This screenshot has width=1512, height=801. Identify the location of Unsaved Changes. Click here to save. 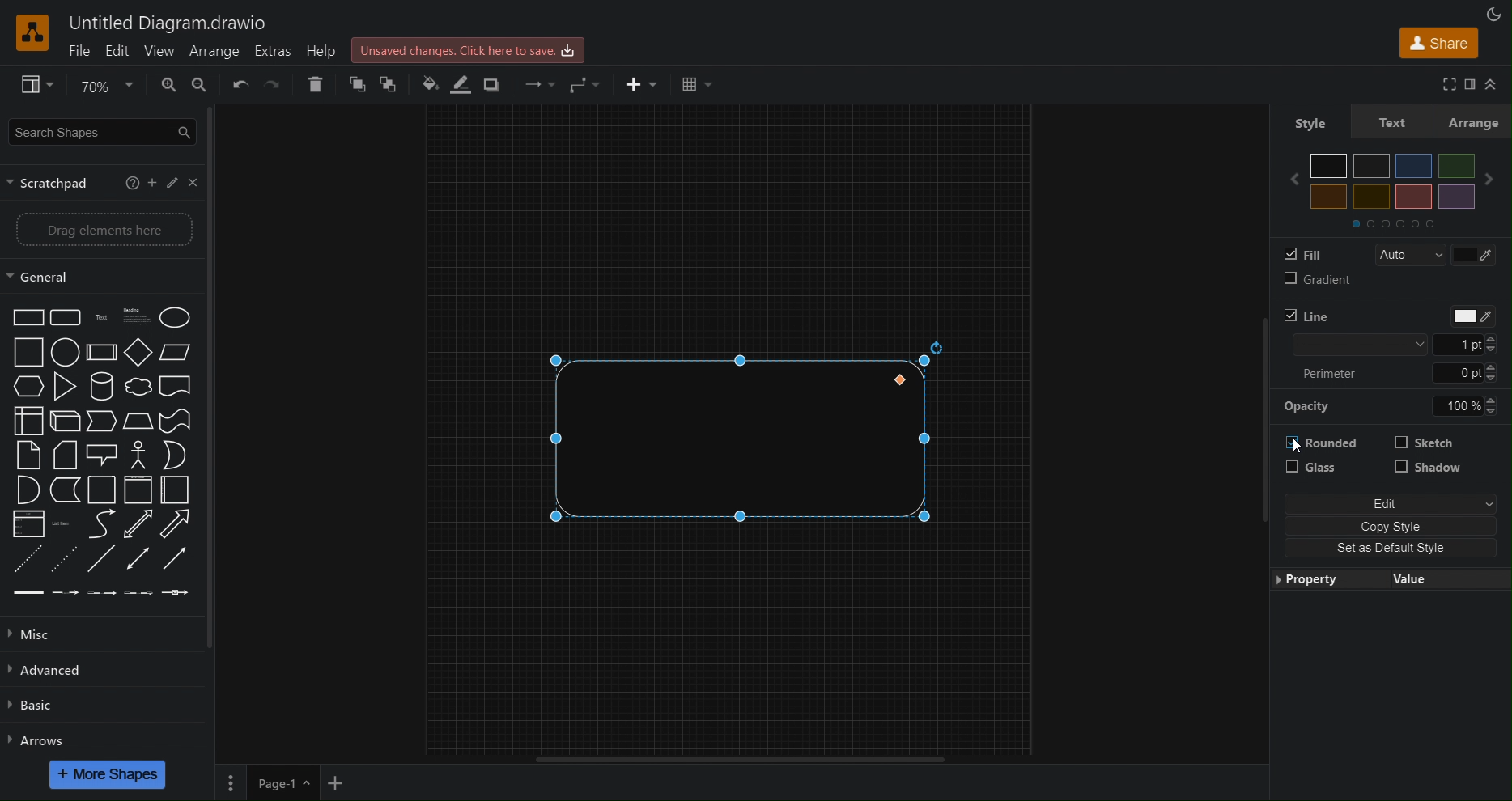
(470, 47).